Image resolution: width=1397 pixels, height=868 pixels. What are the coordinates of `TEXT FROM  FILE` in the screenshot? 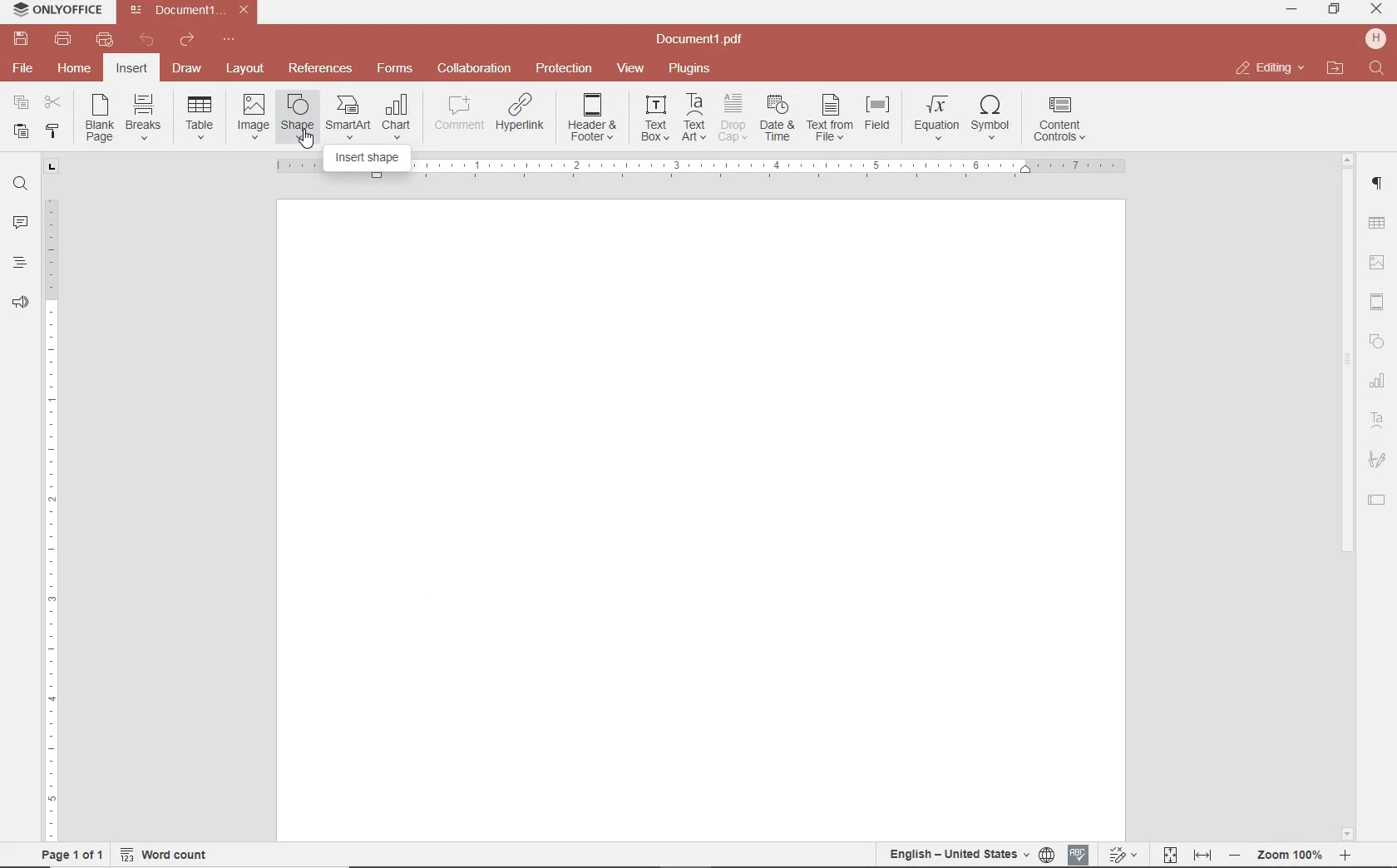 It's located at (830, 118).